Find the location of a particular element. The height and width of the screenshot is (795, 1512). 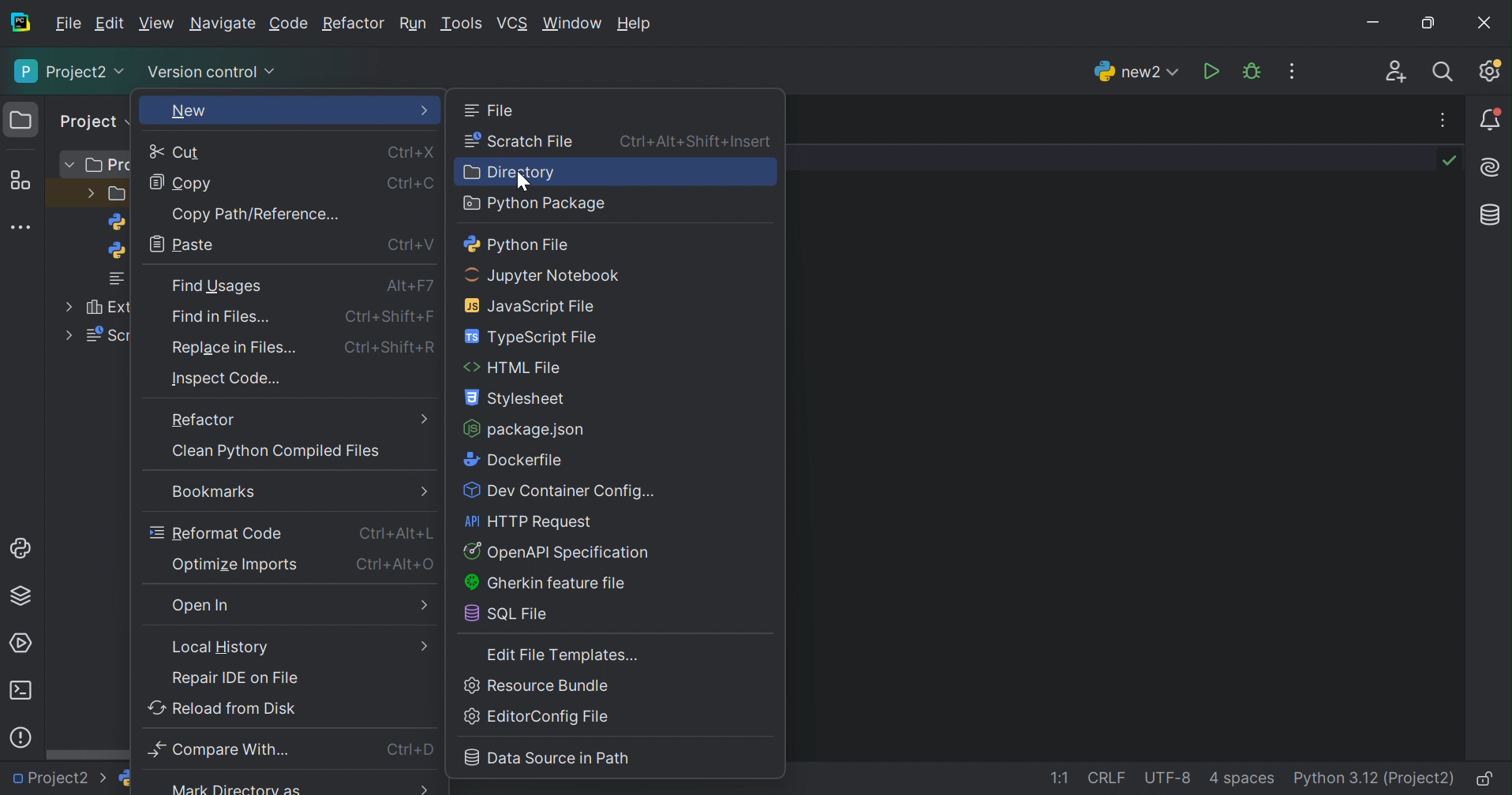

Debug is located at coordinates (1252, 71).